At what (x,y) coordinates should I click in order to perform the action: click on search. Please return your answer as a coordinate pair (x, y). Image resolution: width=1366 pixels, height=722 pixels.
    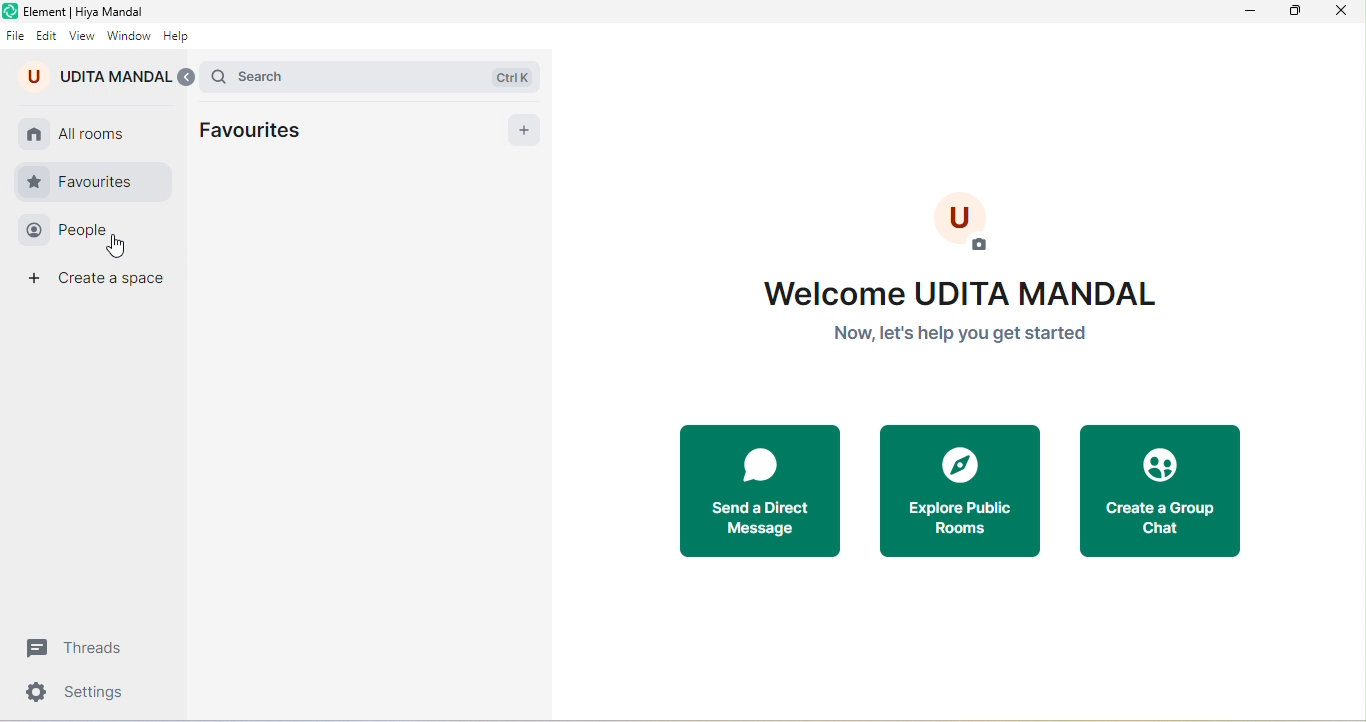
    Looking at the image, I should click on (380, 73).